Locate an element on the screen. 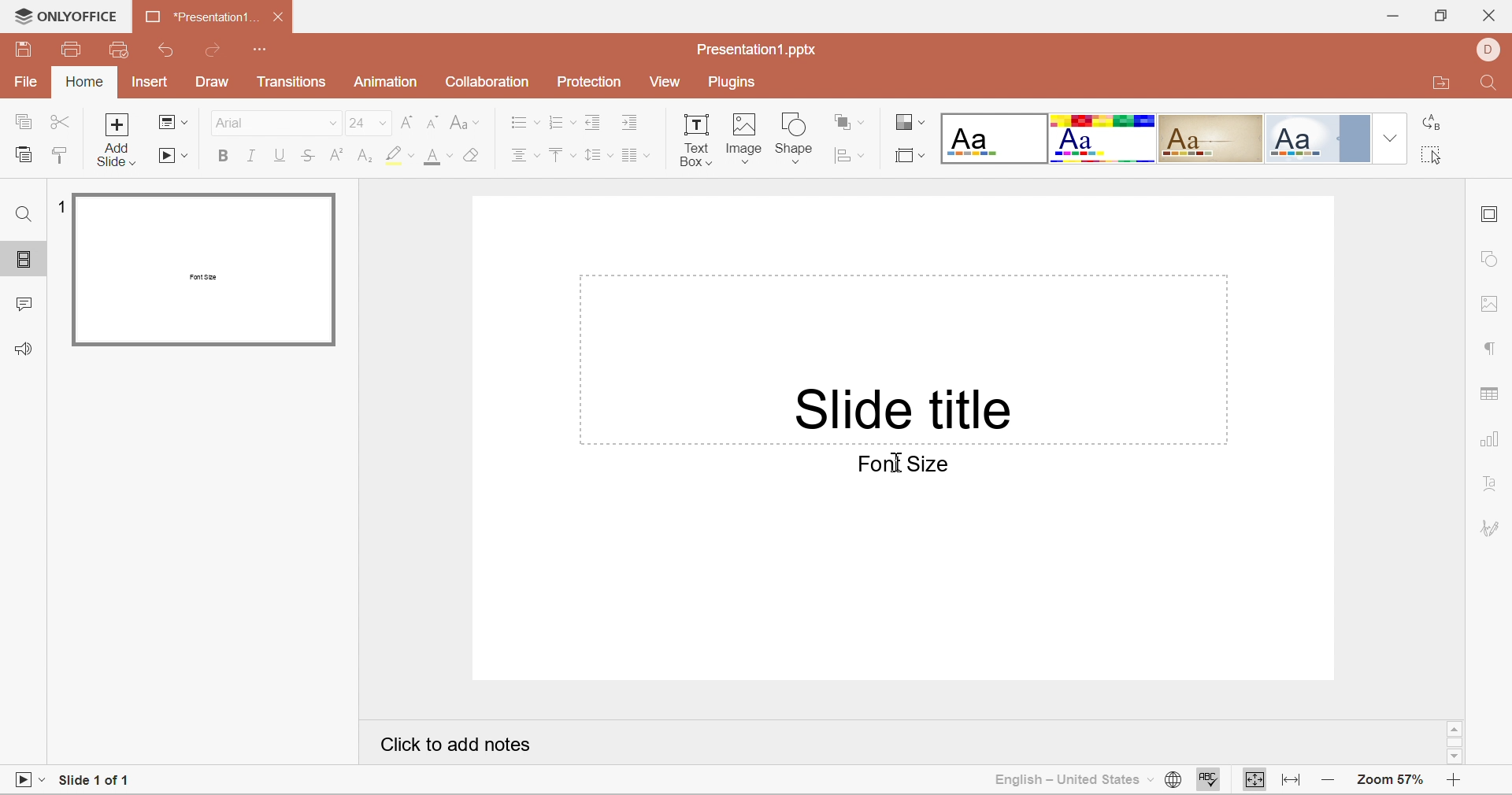 The height and width of the screenshot is (795, 1512). Underline is located at coordinates (280, 155).